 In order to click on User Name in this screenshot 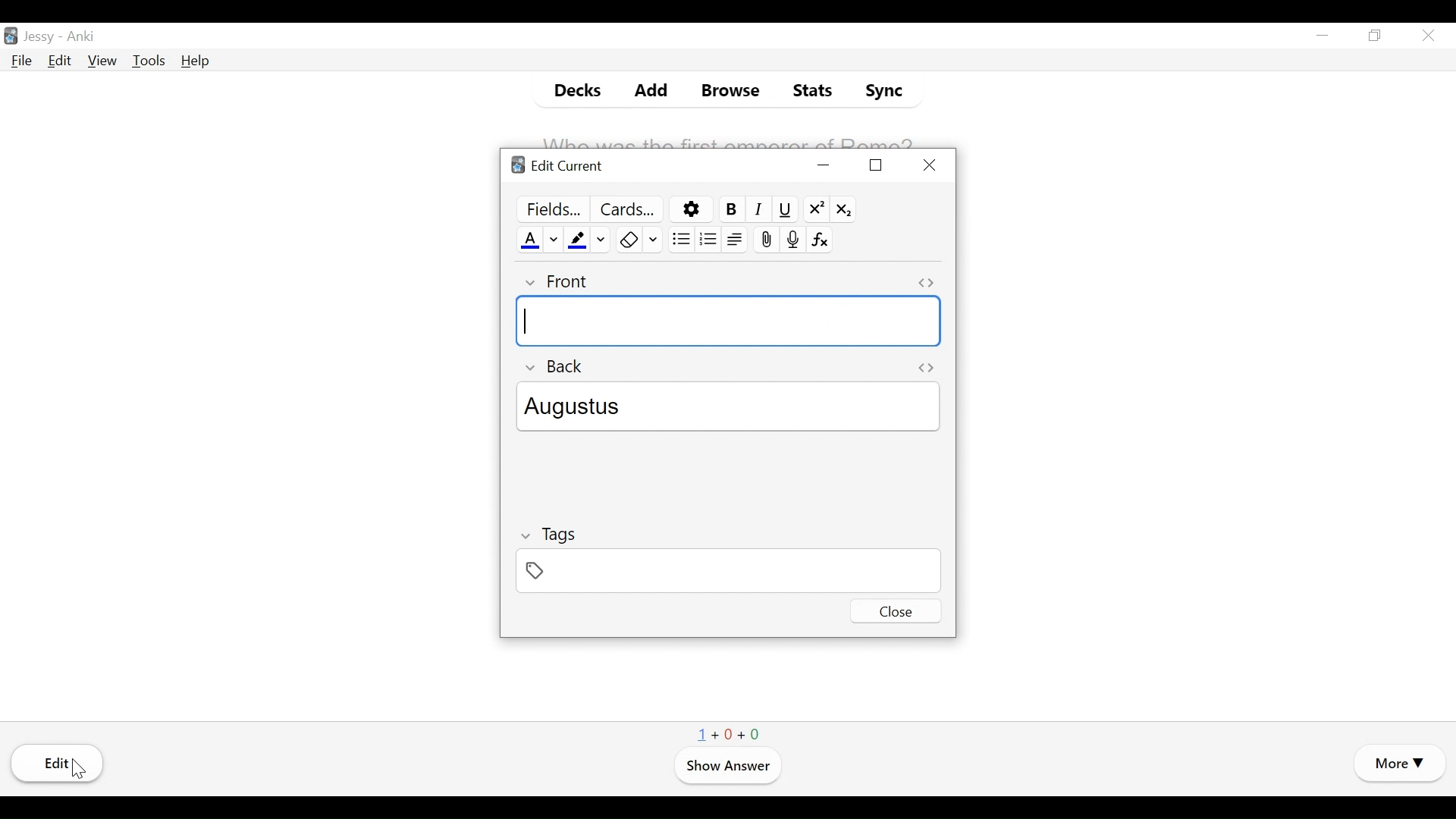, I will do `click(39, 38)`.